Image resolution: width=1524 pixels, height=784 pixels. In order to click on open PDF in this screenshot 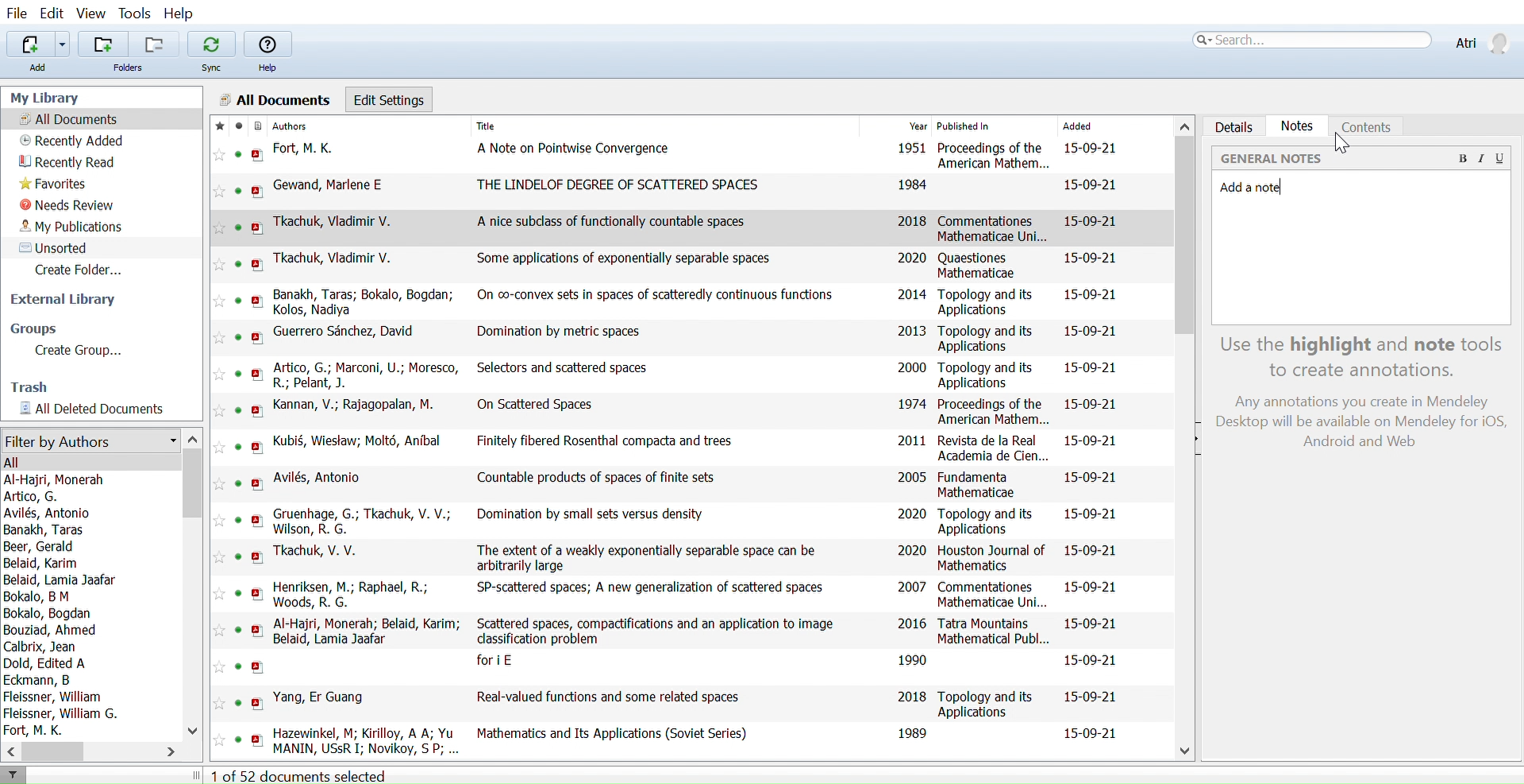, I will do `click(258, 556)`.